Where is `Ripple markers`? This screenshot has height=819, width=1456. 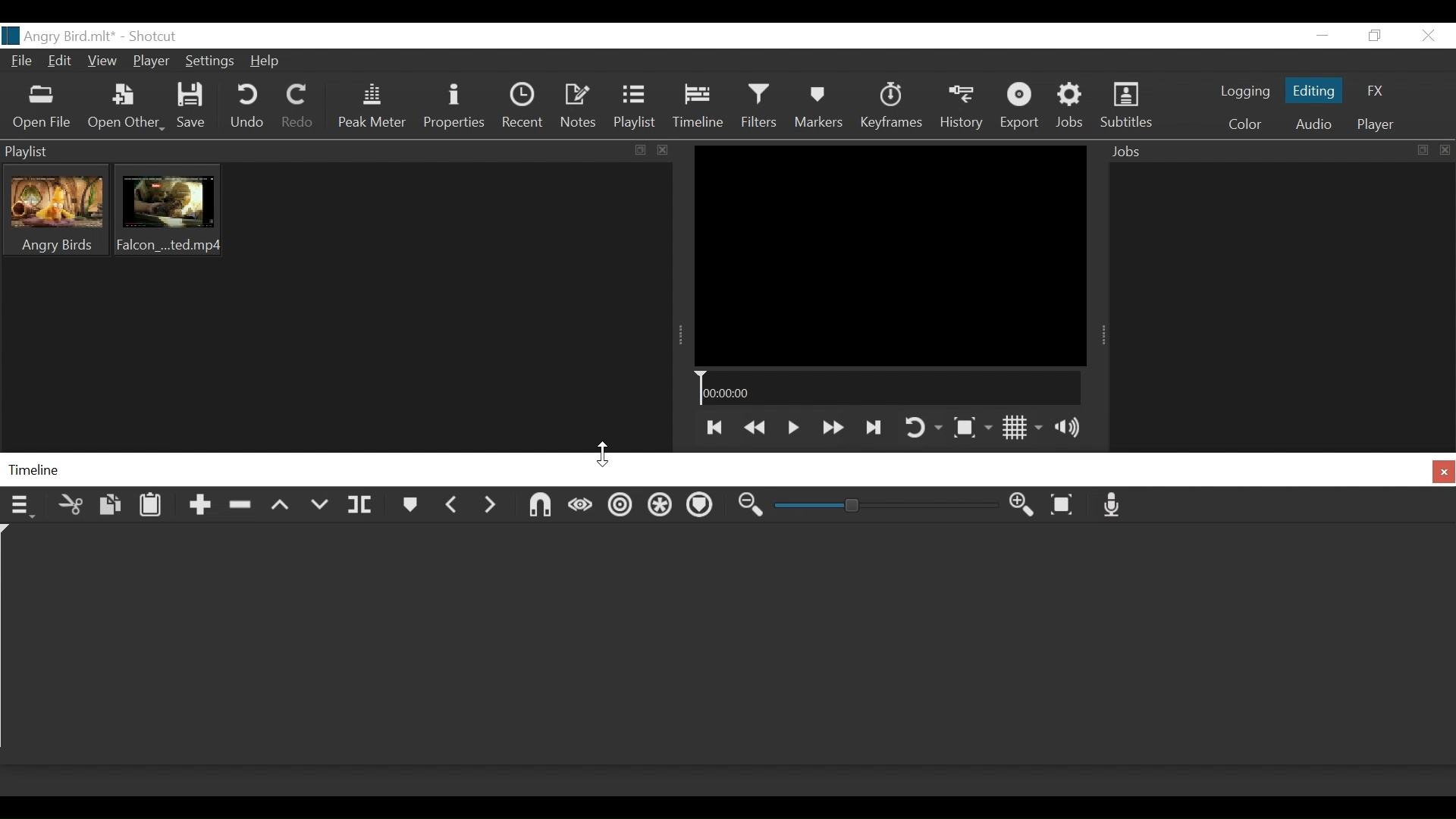 Ripple markers is located at coordinates (704, 507).